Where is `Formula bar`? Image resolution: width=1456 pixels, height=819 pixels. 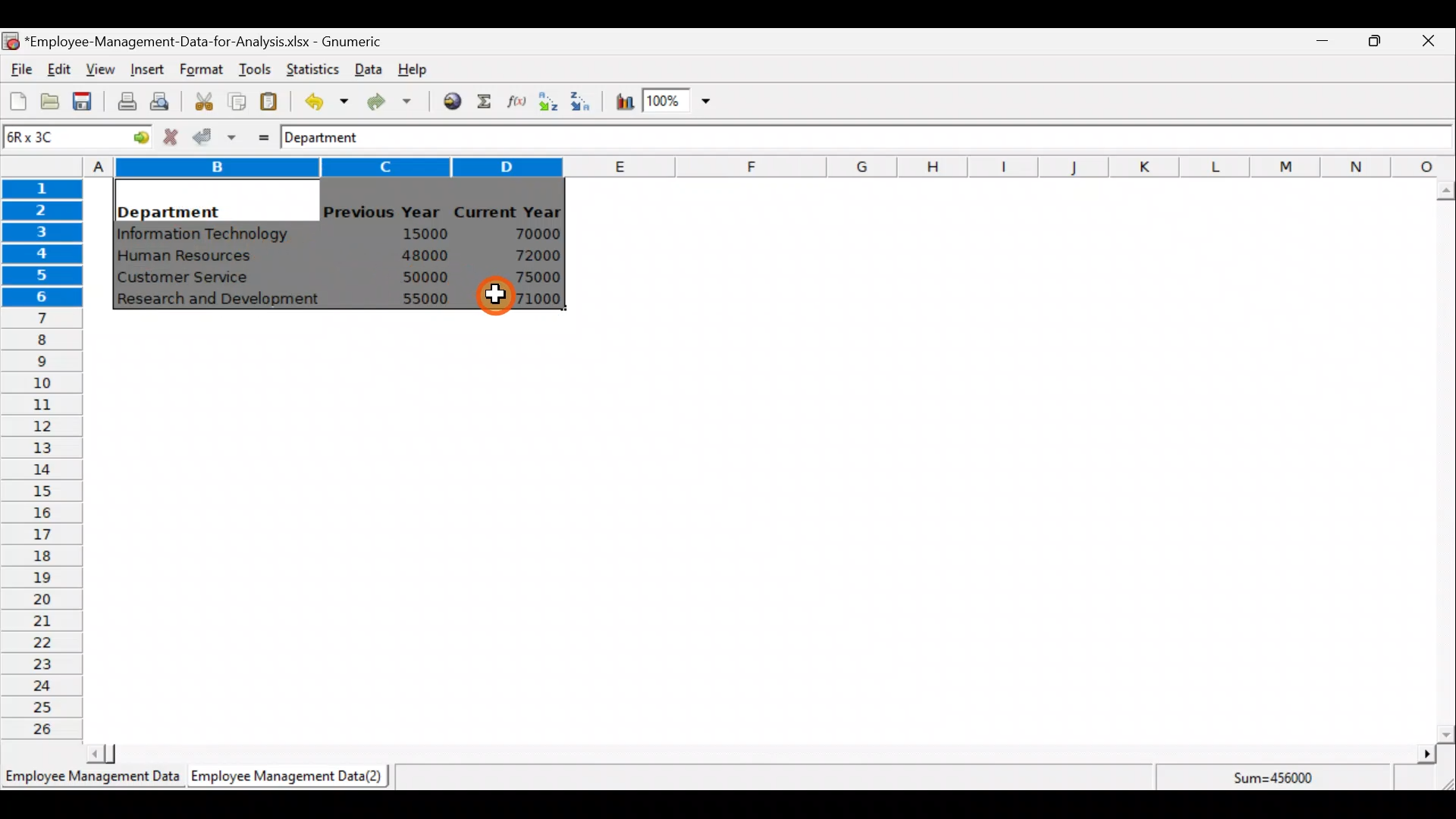
Formula bar is located at coordinates (923, 138).